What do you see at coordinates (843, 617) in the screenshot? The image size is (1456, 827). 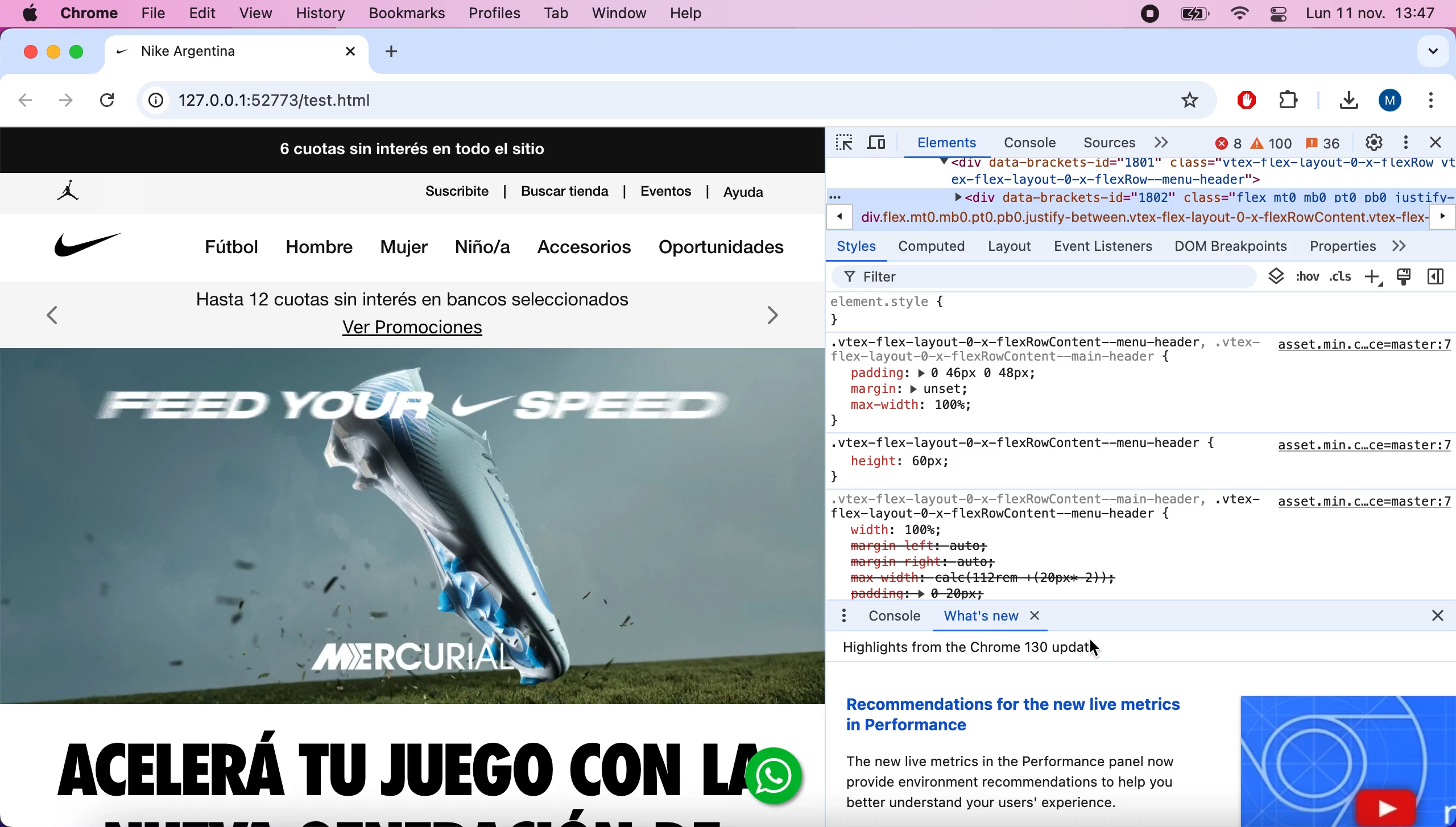 I see `open menu` at bounding box center [843, 617].